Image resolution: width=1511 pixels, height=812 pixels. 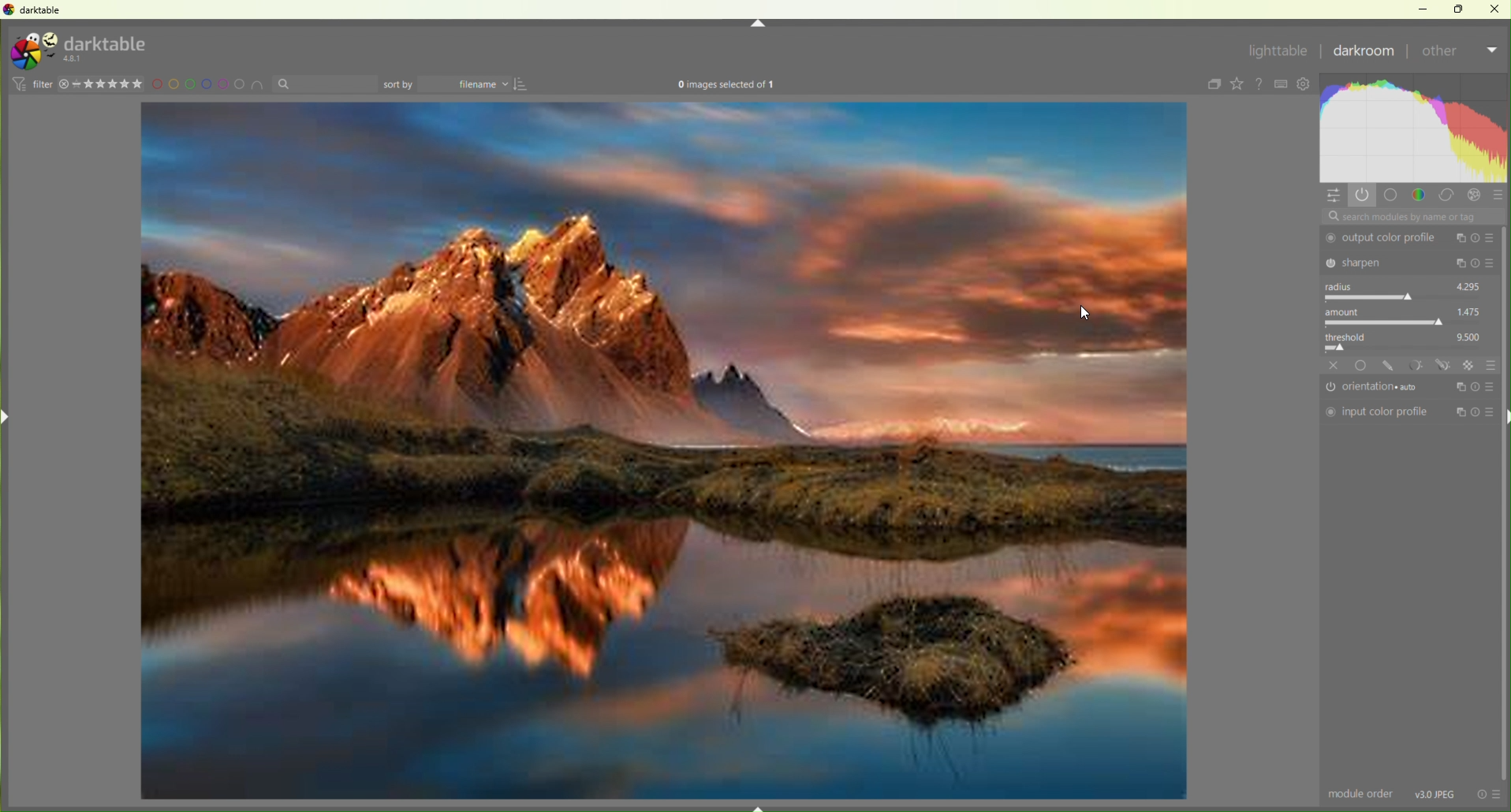 I want to click on Color map, so click(x=1416, y=128).